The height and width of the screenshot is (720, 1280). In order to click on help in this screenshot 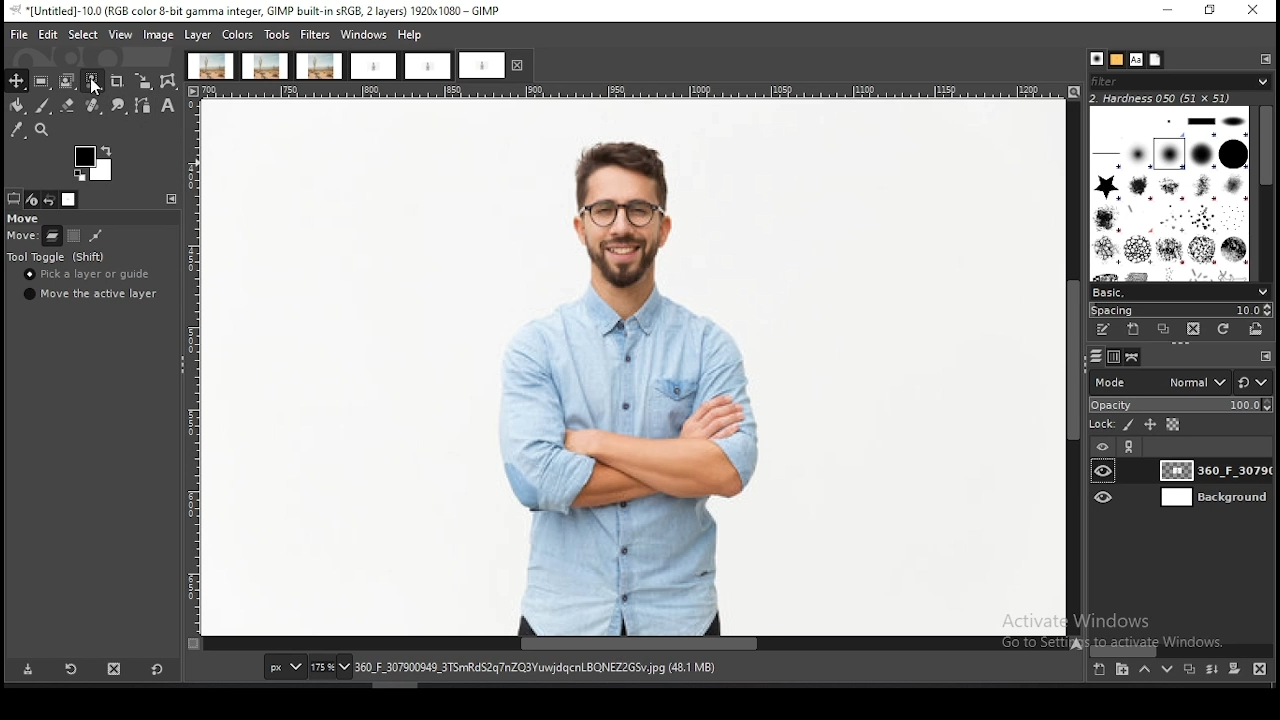, I will do `click(412, 34)`.